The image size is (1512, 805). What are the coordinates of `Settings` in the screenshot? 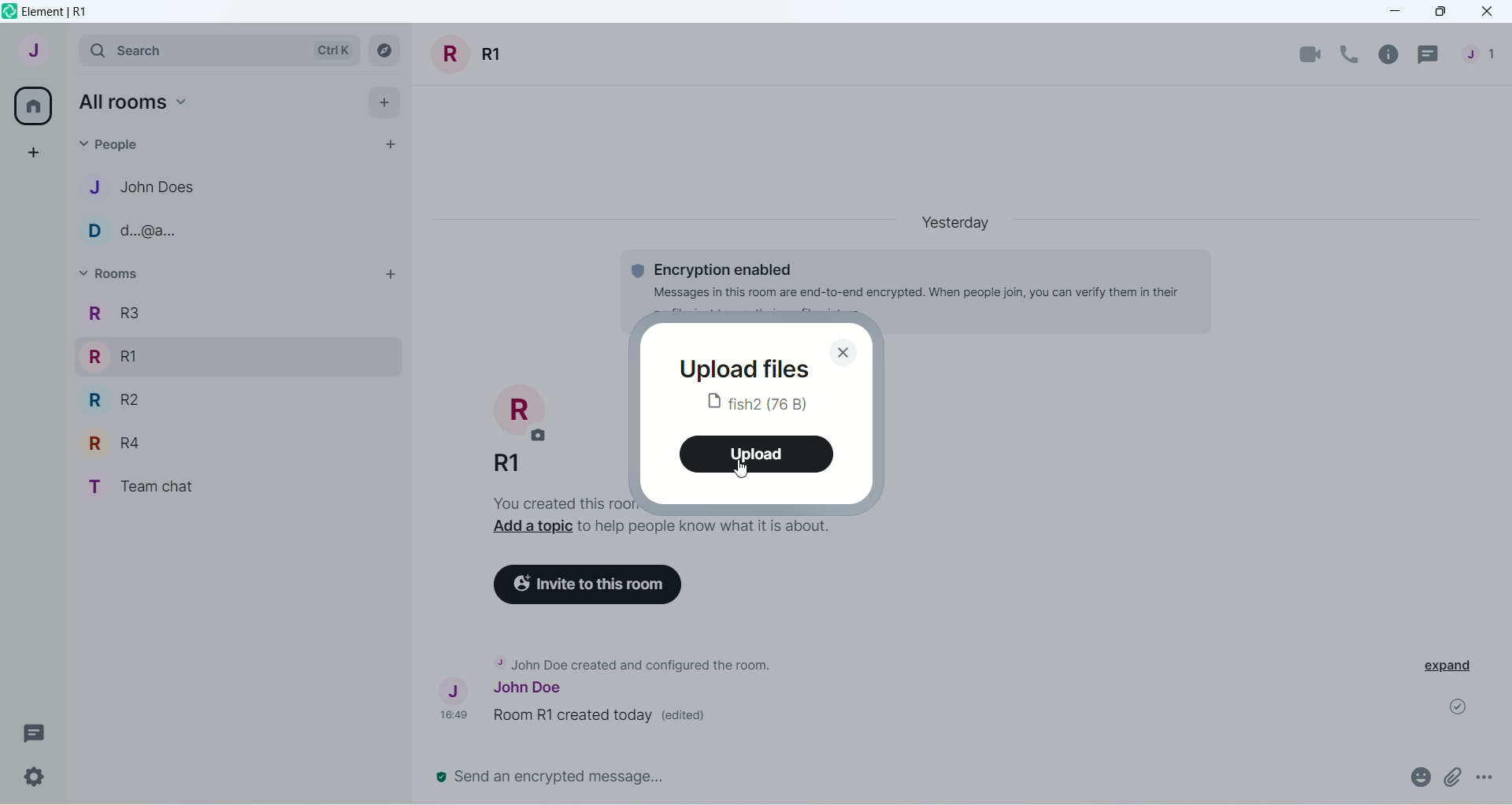 It's located at (39, 781).